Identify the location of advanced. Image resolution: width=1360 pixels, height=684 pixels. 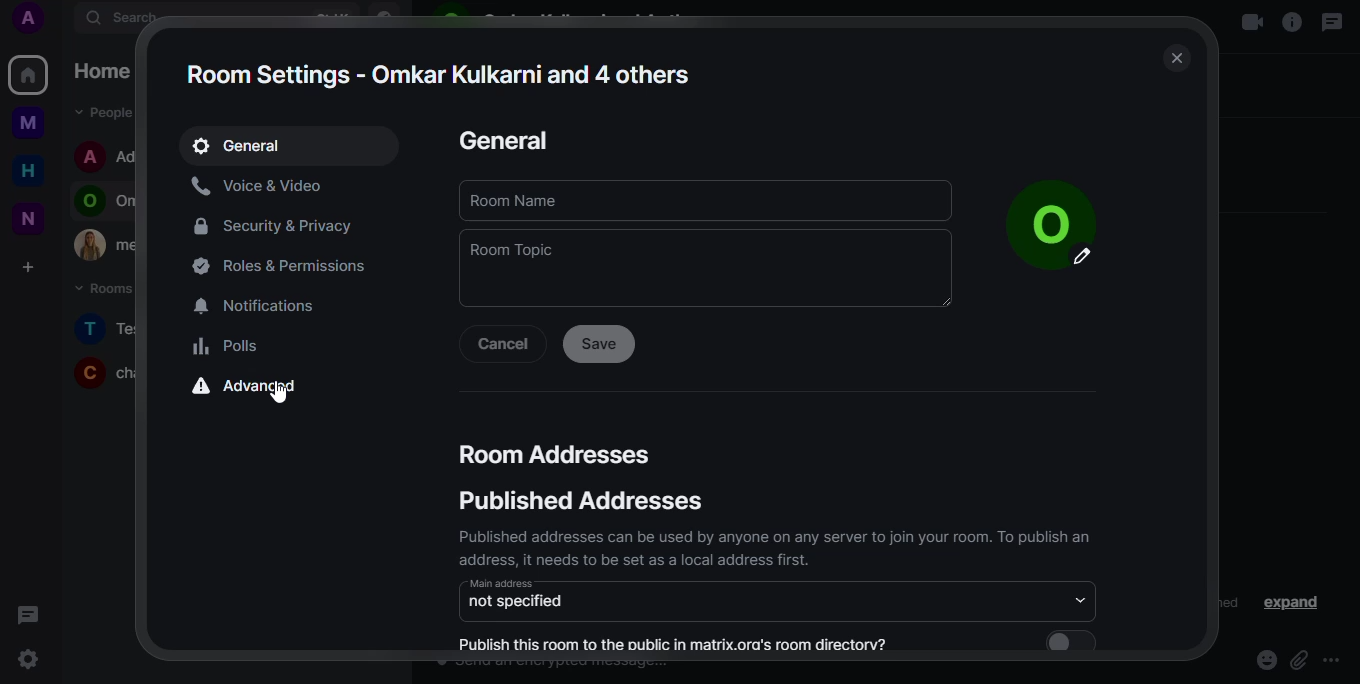
(254, 389).